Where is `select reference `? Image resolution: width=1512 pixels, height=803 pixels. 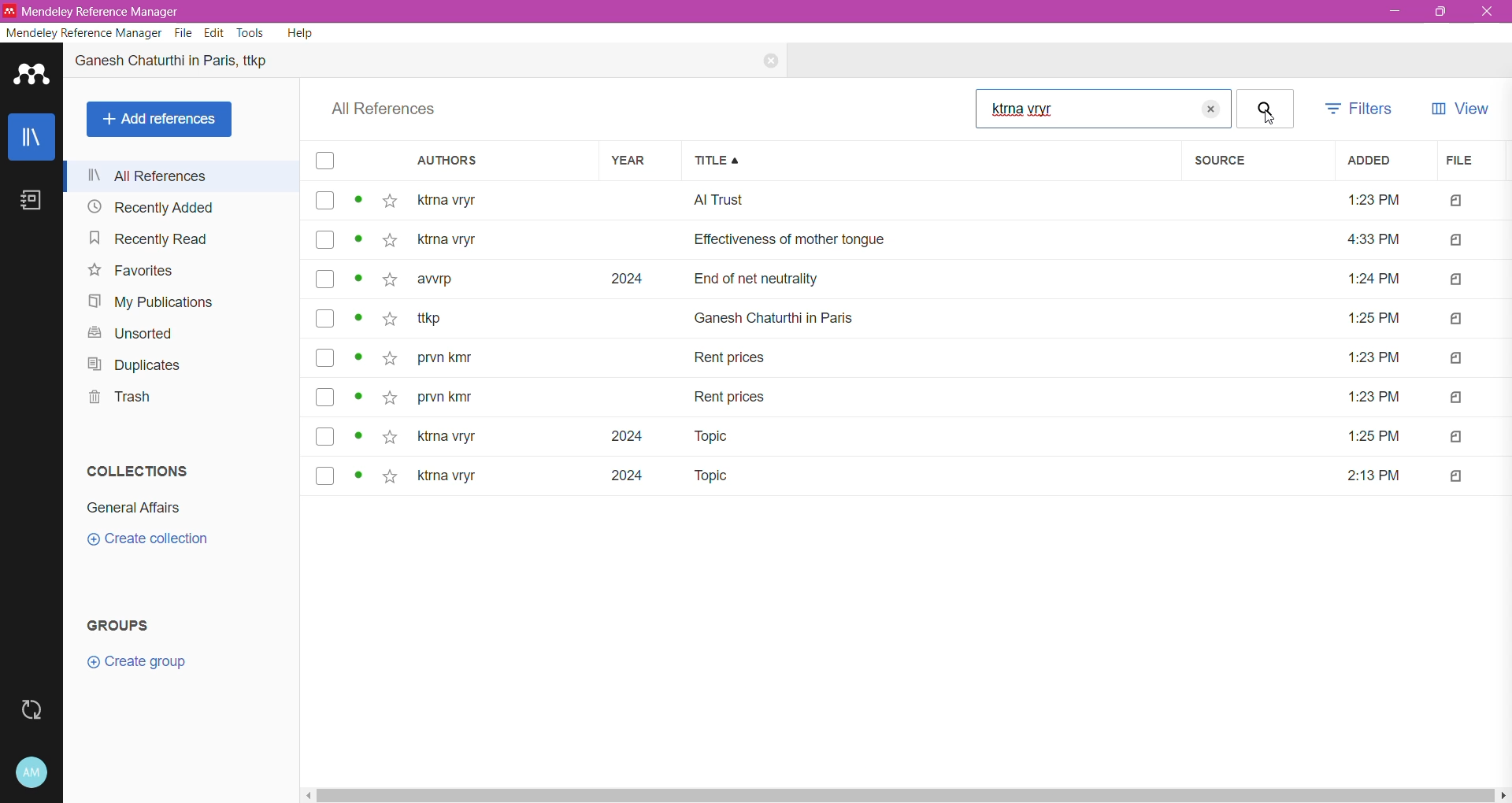 select reference  is located at coordinates (325, 357).